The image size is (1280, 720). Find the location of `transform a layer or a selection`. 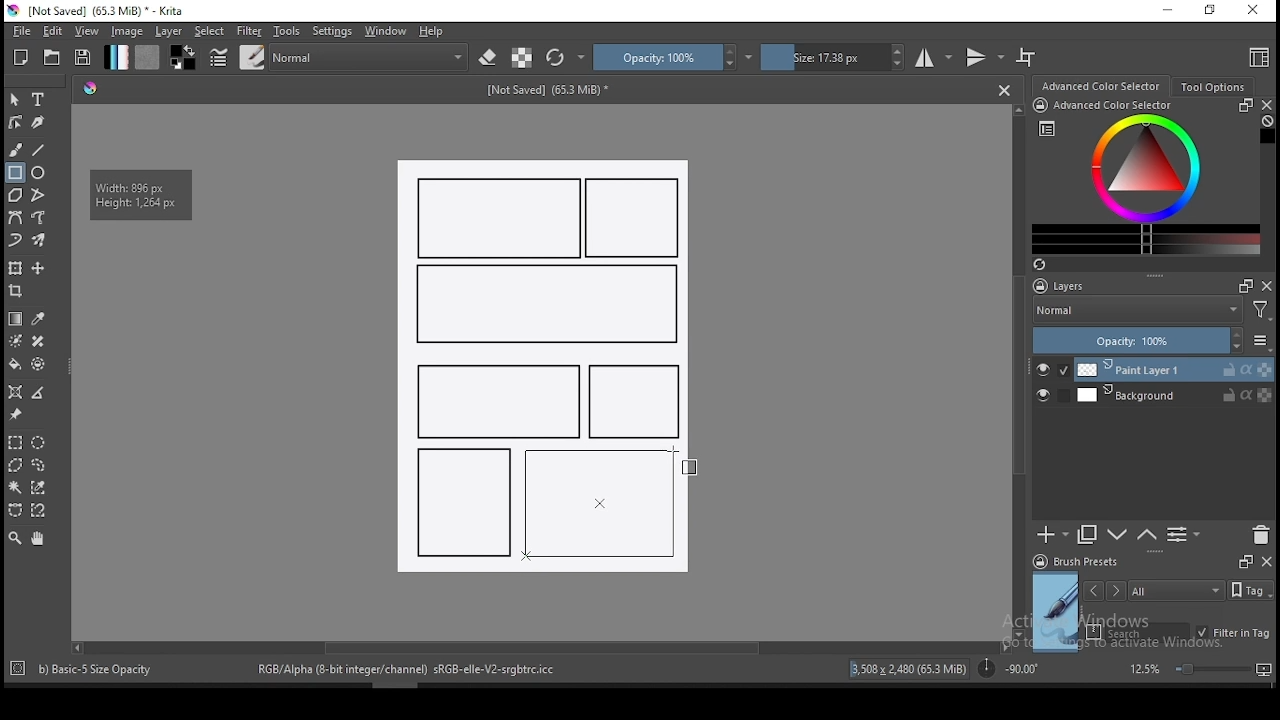

transform a layer or a selection is located at coordinates (15, 267).